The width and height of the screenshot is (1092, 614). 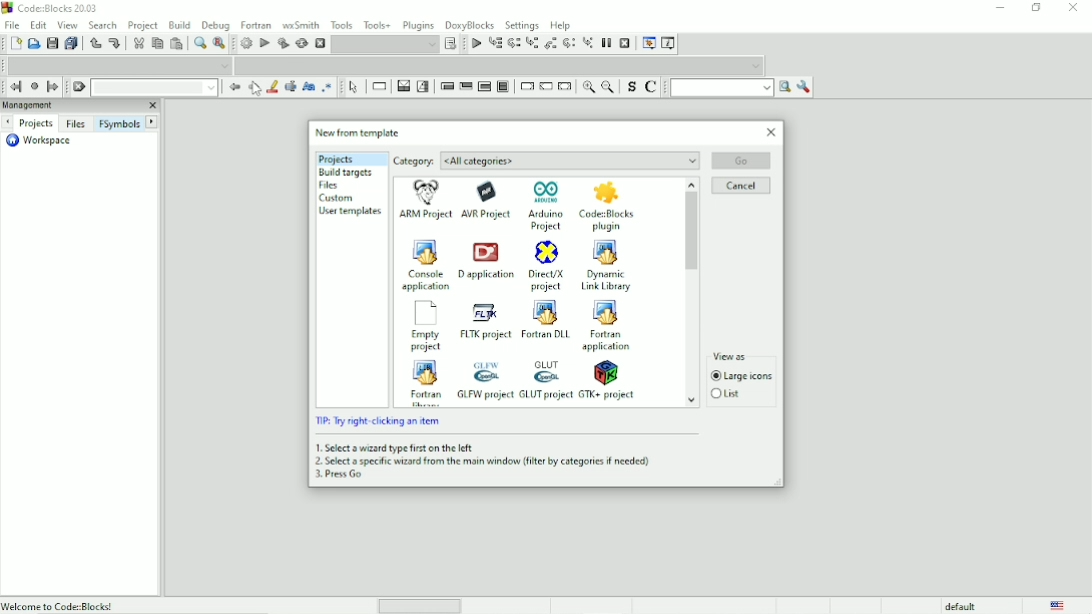 What do you see at coordinates (79, 87) in the screenshot?
I see `Abort` at bounding box center [79, 87].